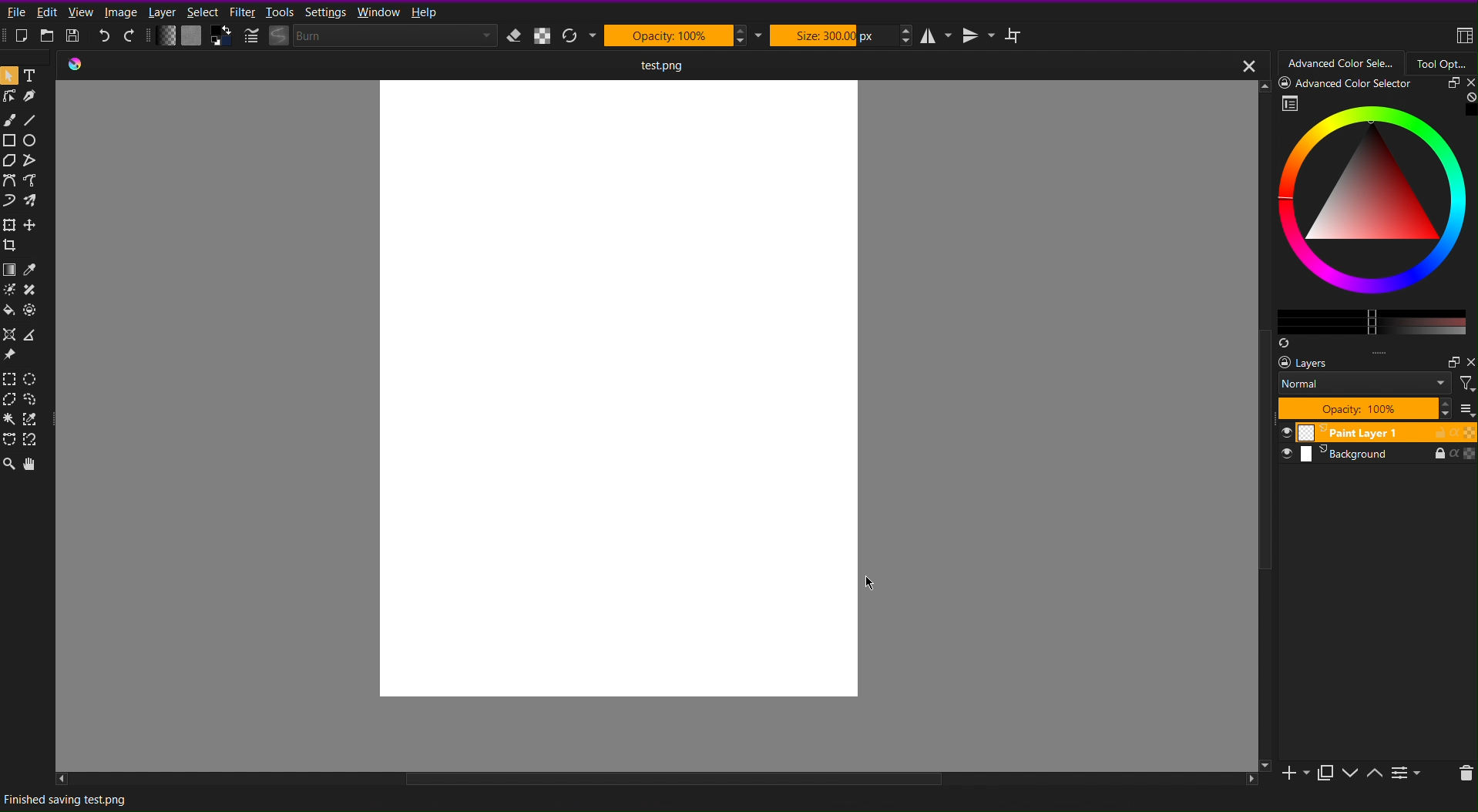 This screenshot has width=1478, height=812. What do you see at coordinates (378, 13) in the screenshot?
I see `Window` at bounding box center [378, 13].